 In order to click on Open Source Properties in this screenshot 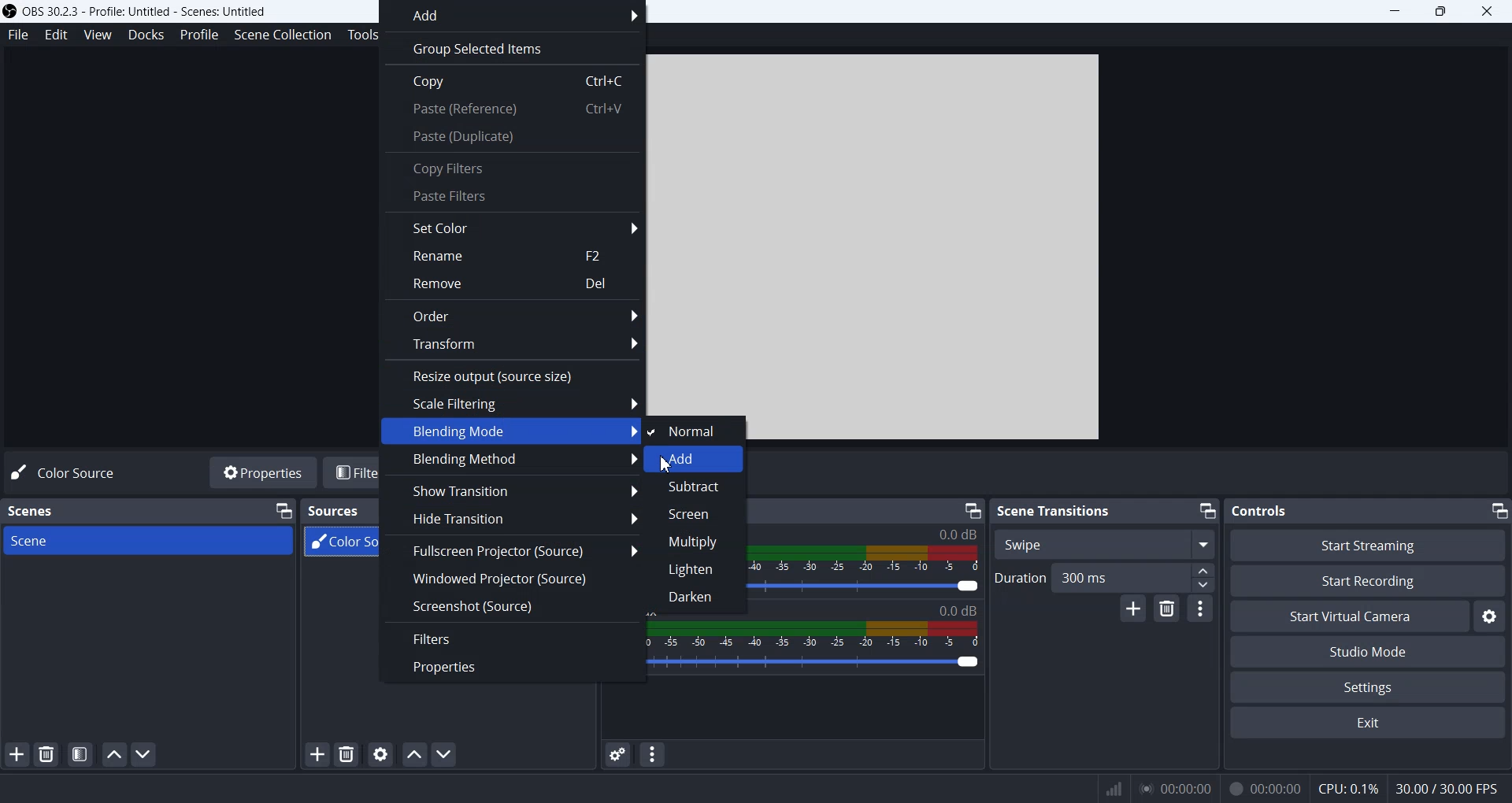, I will do `click(380, 754)`.